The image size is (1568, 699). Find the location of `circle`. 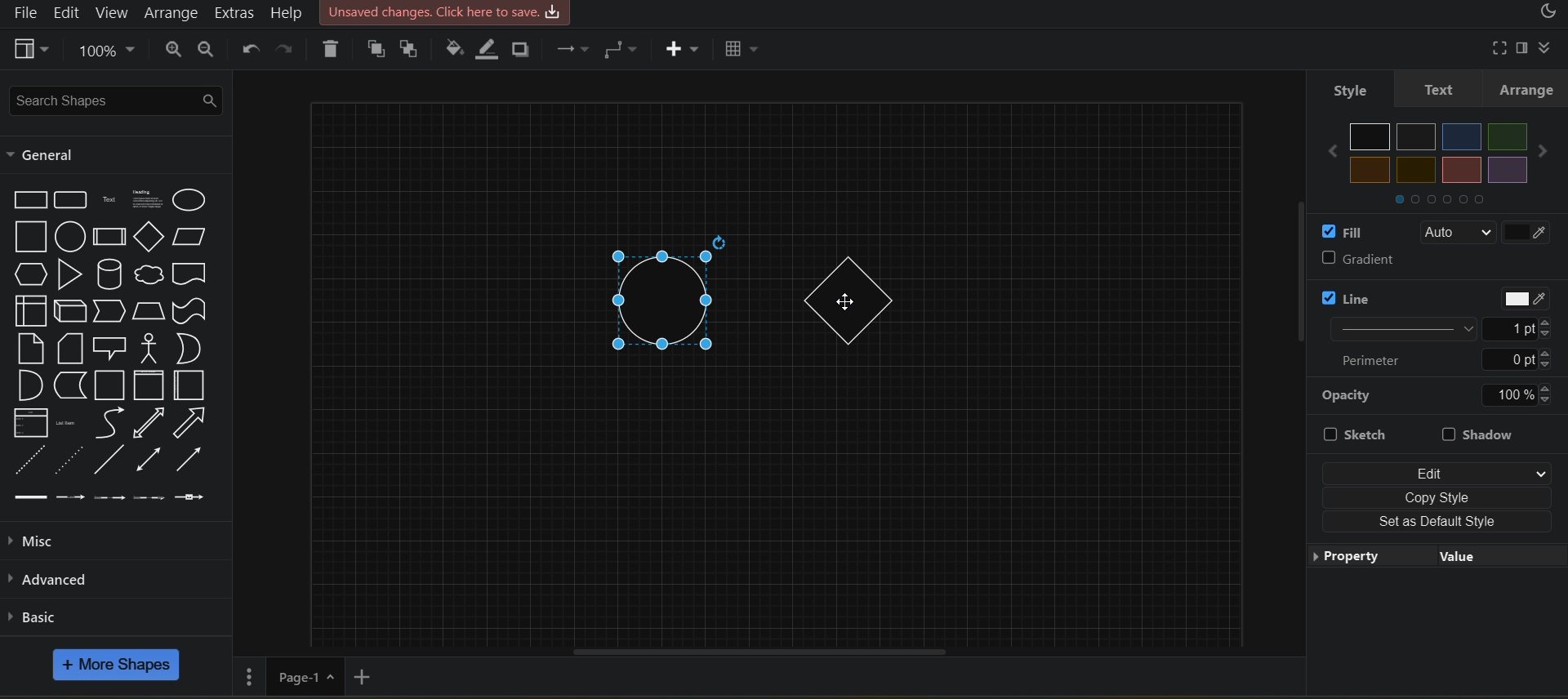

circle is located at coordinates (677, 292).